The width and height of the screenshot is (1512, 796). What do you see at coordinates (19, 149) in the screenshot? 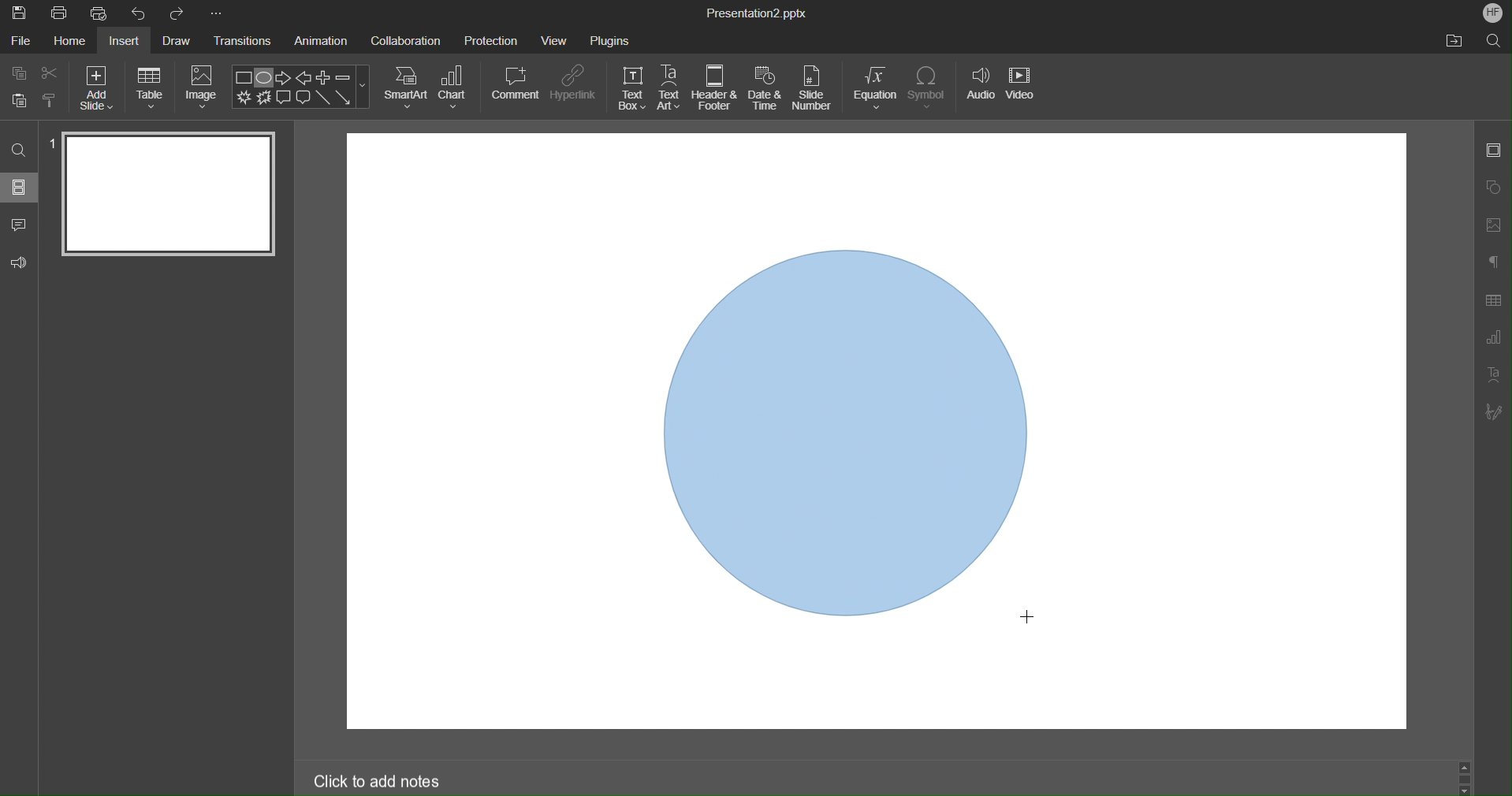
I see `Search` at bounding box center [19, 149].